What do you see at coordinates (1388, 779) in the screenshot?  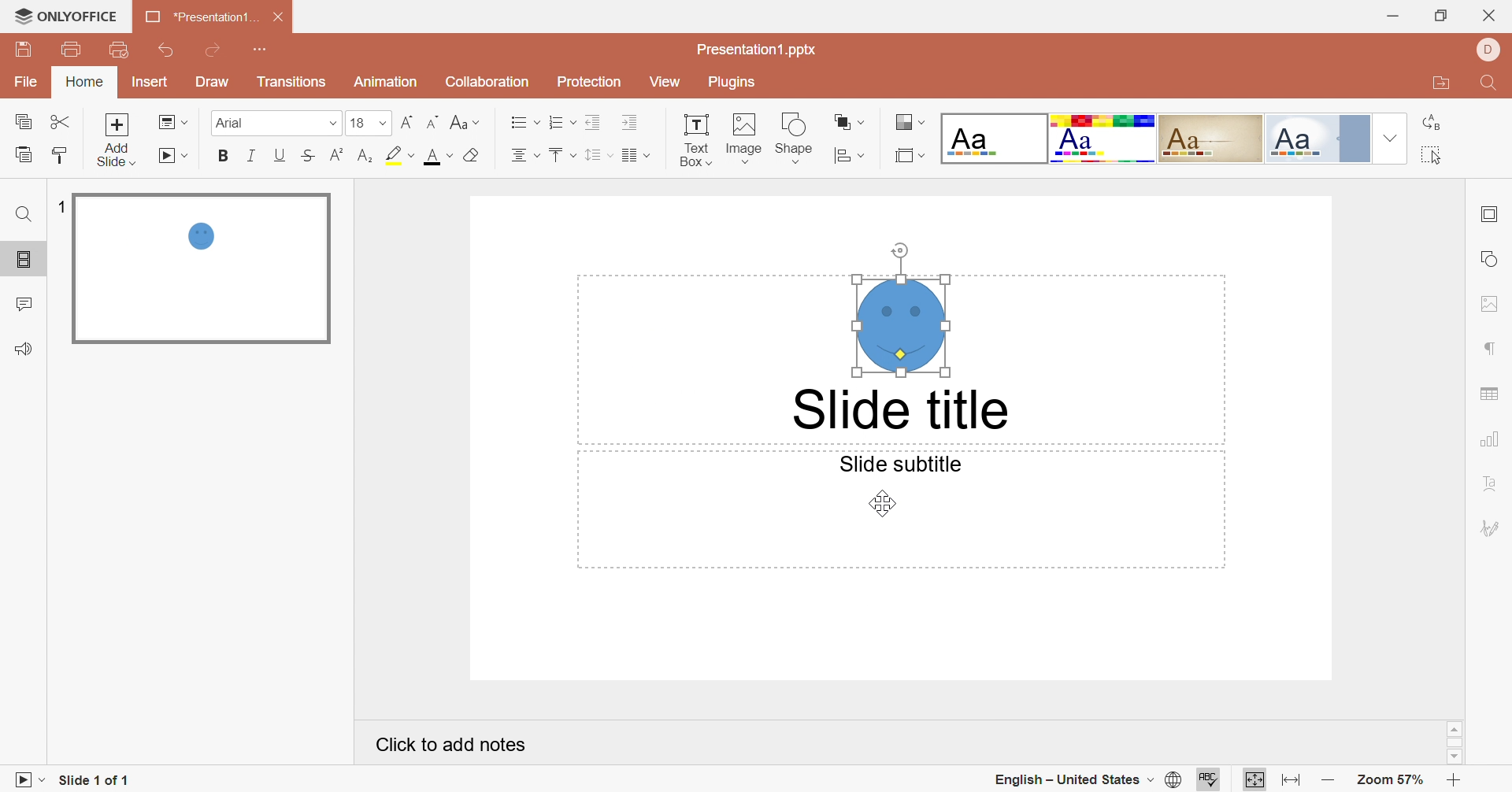 I see `Zoom 57%` at bounding box center [1388, 779].